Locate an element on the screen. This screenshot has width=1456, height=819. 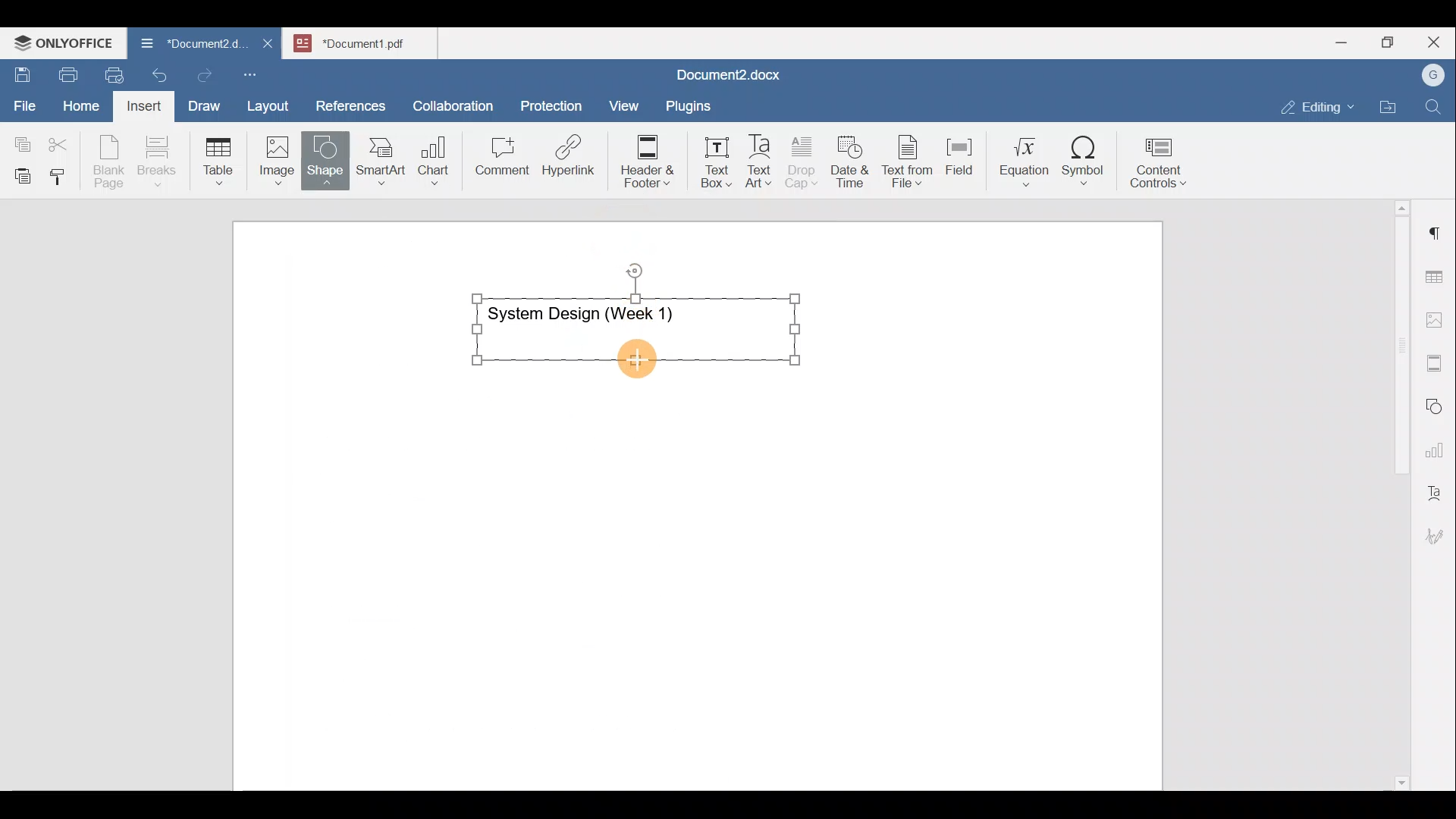
Table is located at coordinates (219, 158).